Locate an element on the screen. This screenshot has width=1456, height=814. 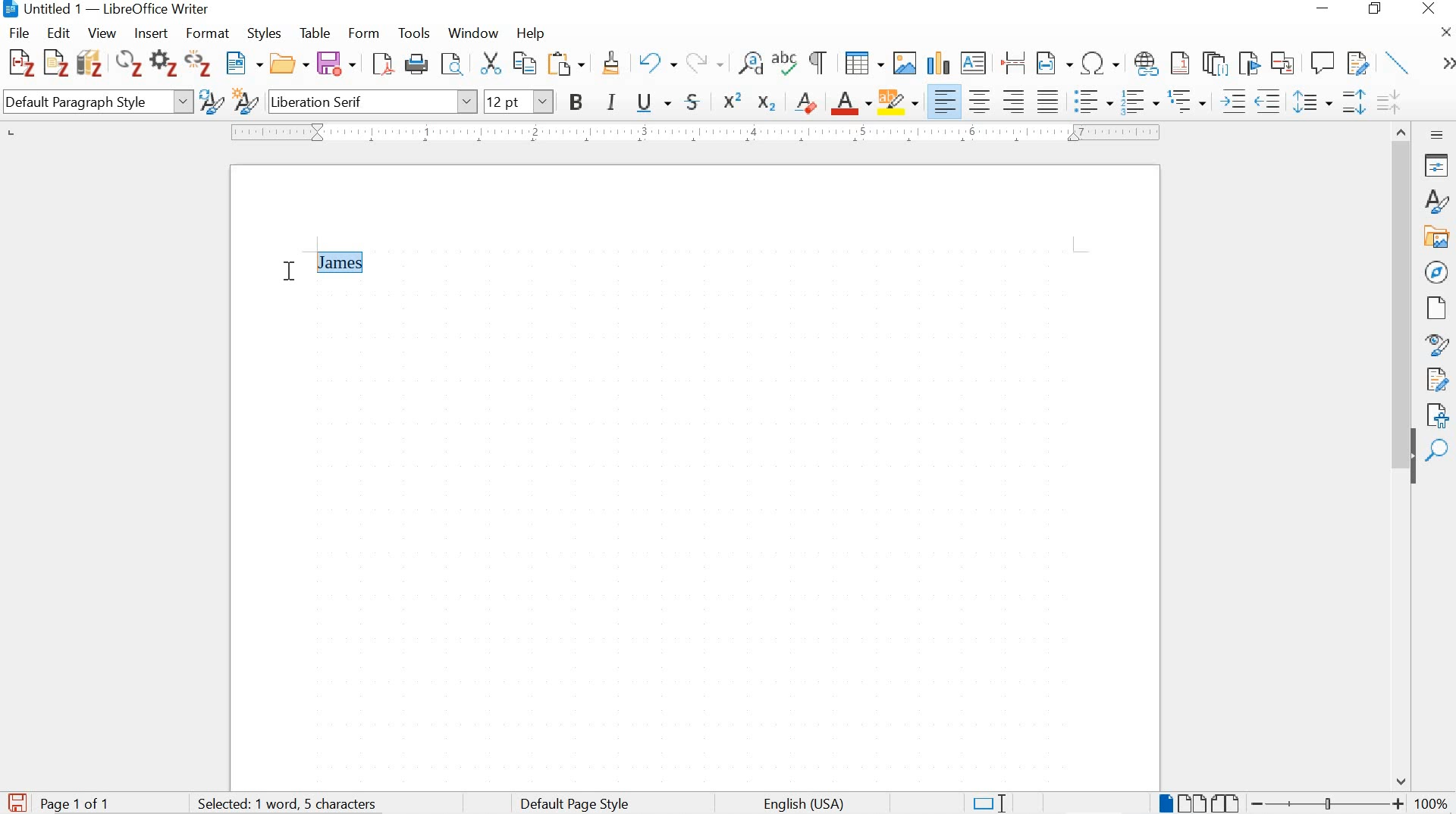
style inspector is located at coordinates (1437, 346).